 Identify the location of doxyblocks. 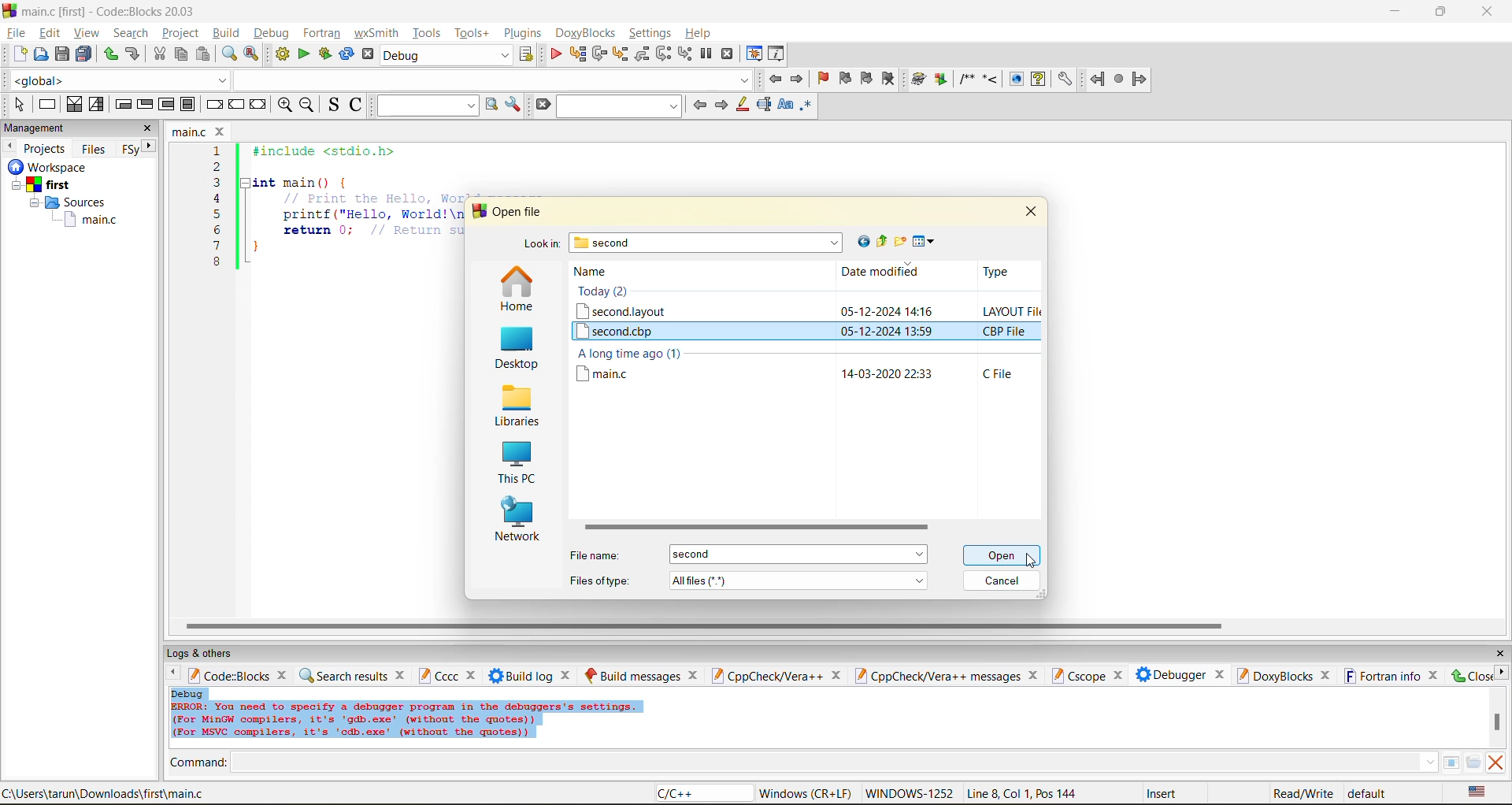
(588, 33).